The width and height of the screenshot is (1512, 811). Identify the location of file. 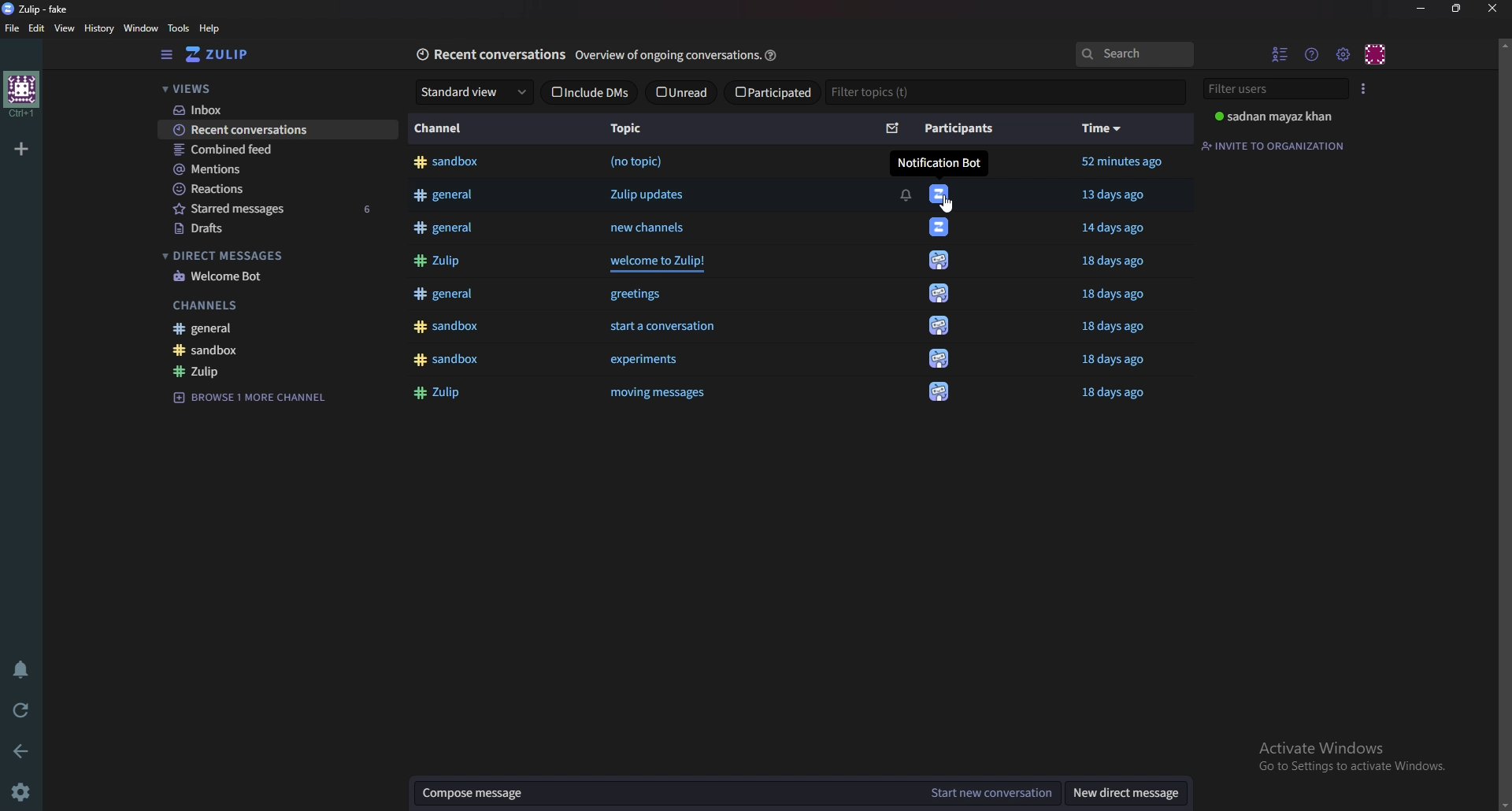
(15, 28).